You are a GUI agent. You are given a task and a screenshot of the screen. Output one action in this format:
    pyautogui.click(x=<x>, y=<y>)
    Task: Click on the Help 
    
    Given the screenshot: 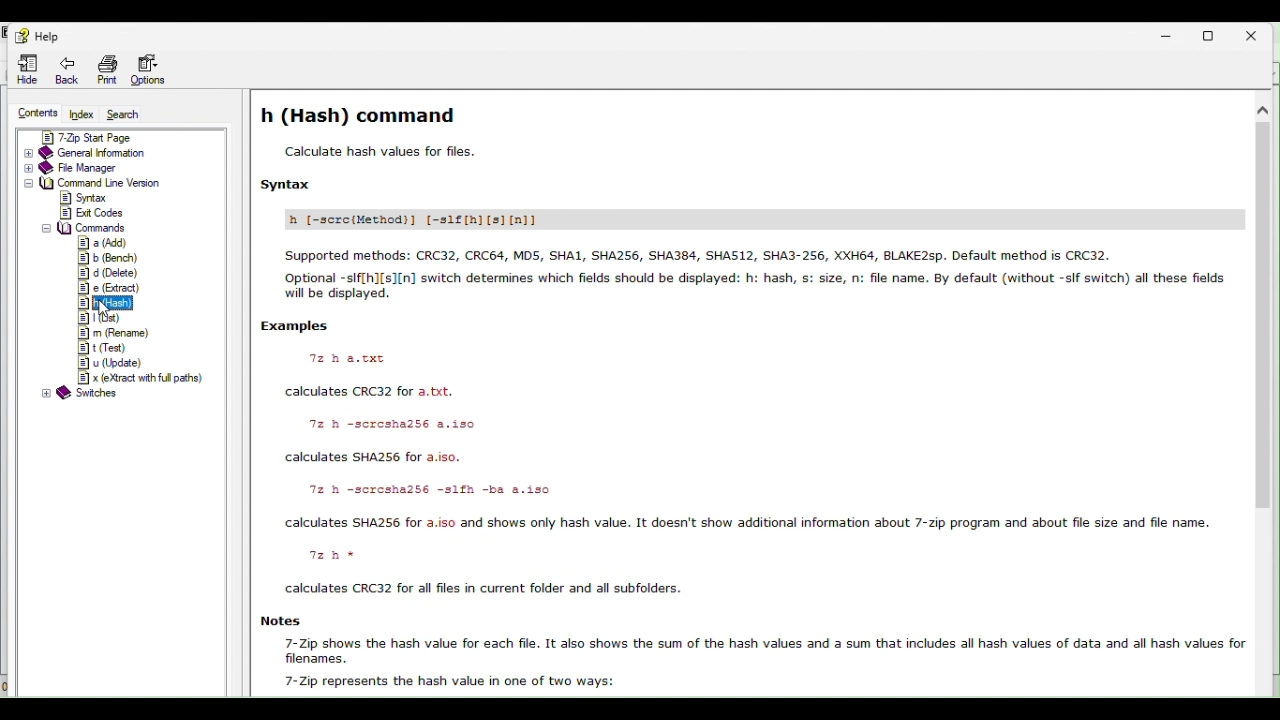 What is the action you would take?
    pyautogui.click(x=43, y=37)
    